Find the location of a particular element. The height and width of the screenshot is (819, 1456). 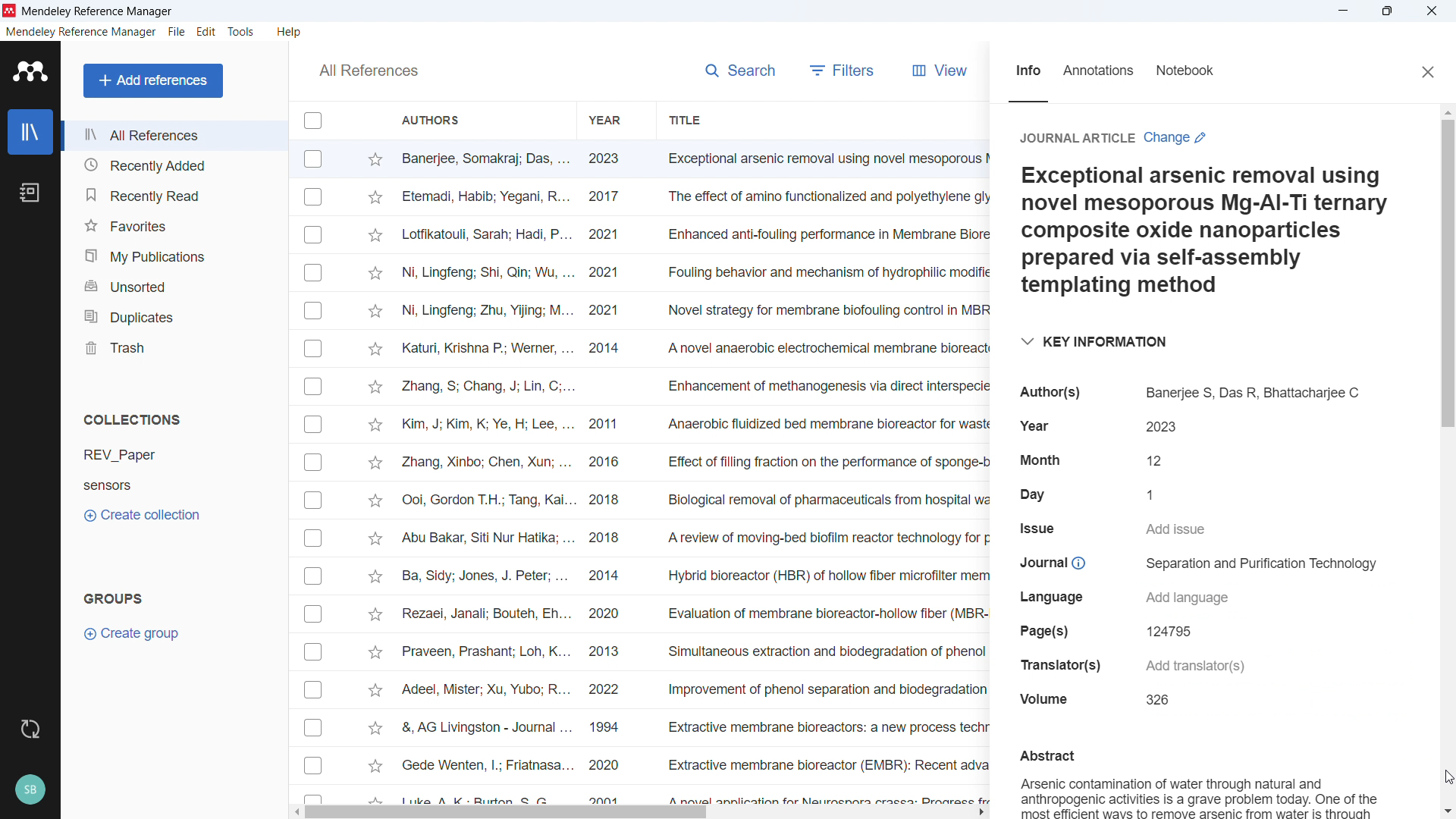

my publications is located at coordinates (174, 253).